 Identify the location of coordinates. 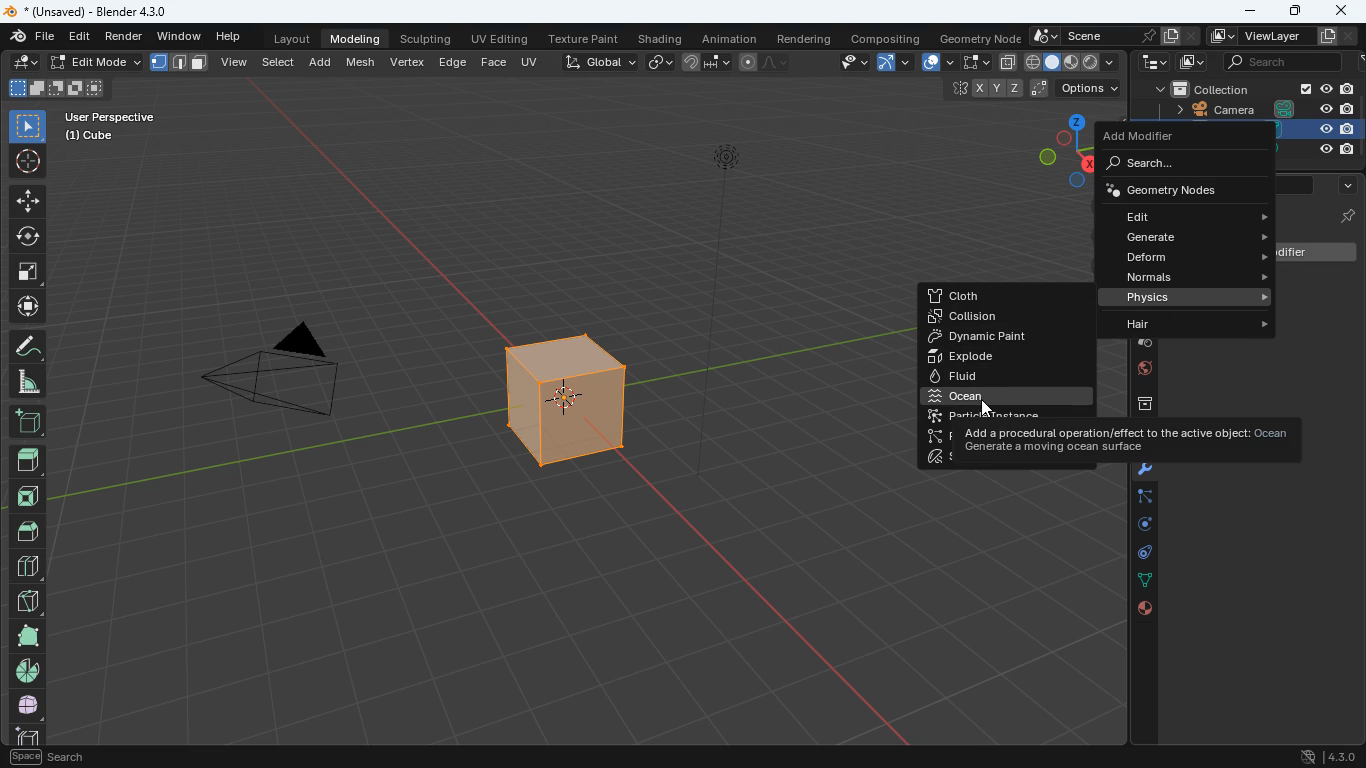
(1030, 90).